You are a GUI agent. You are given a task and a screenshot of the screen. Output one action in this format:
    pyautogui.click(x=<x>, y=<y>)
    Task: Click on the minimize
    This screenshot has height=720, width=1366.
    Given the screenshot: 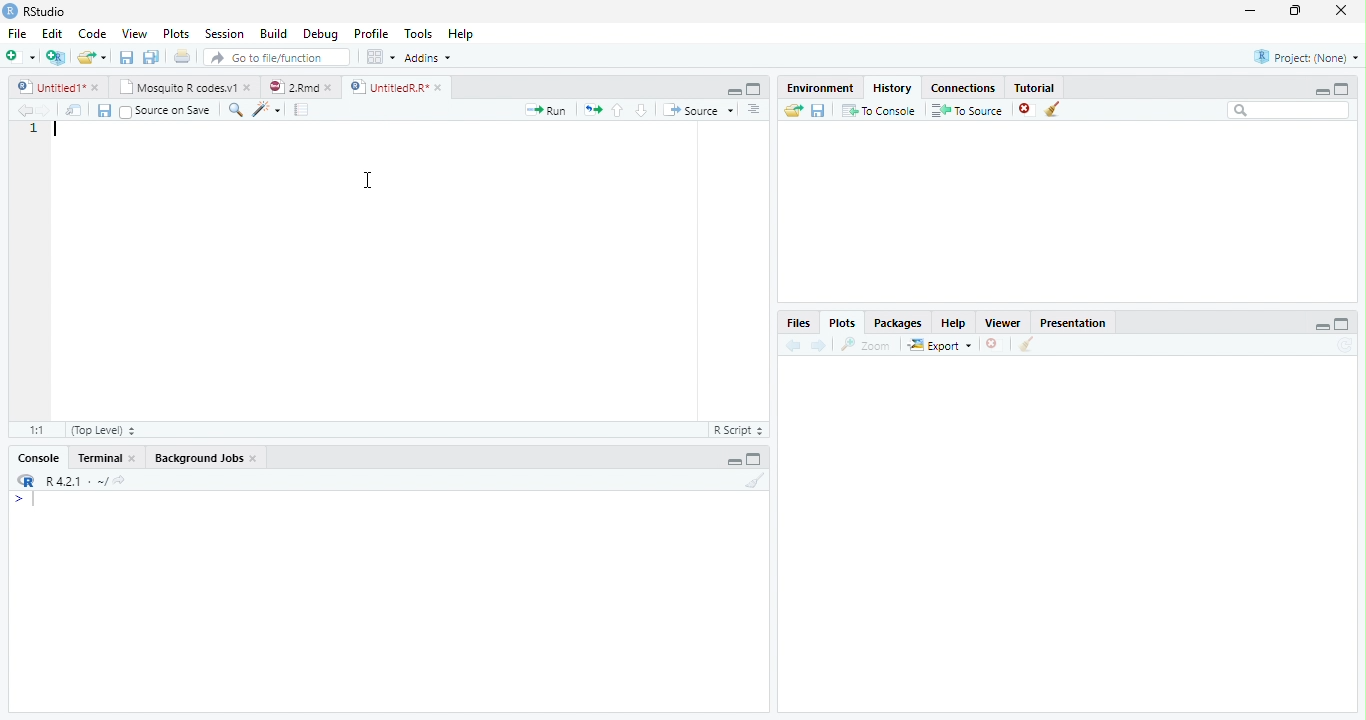 What is the action you would take?
    pyautogui.click(x=1249, y=12)
    